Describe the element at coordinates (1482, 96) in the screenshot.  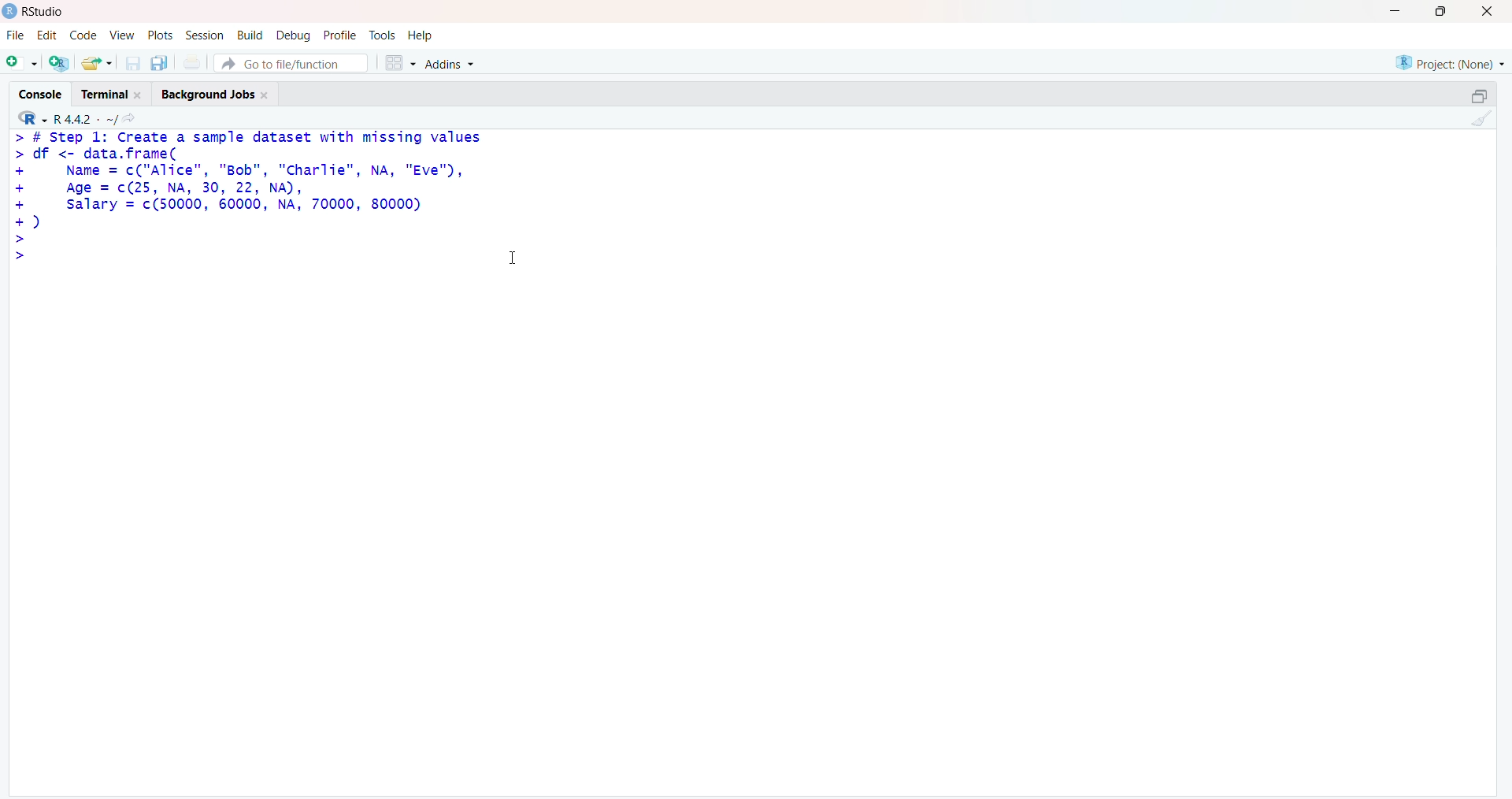
I see `Maximize` at that location.